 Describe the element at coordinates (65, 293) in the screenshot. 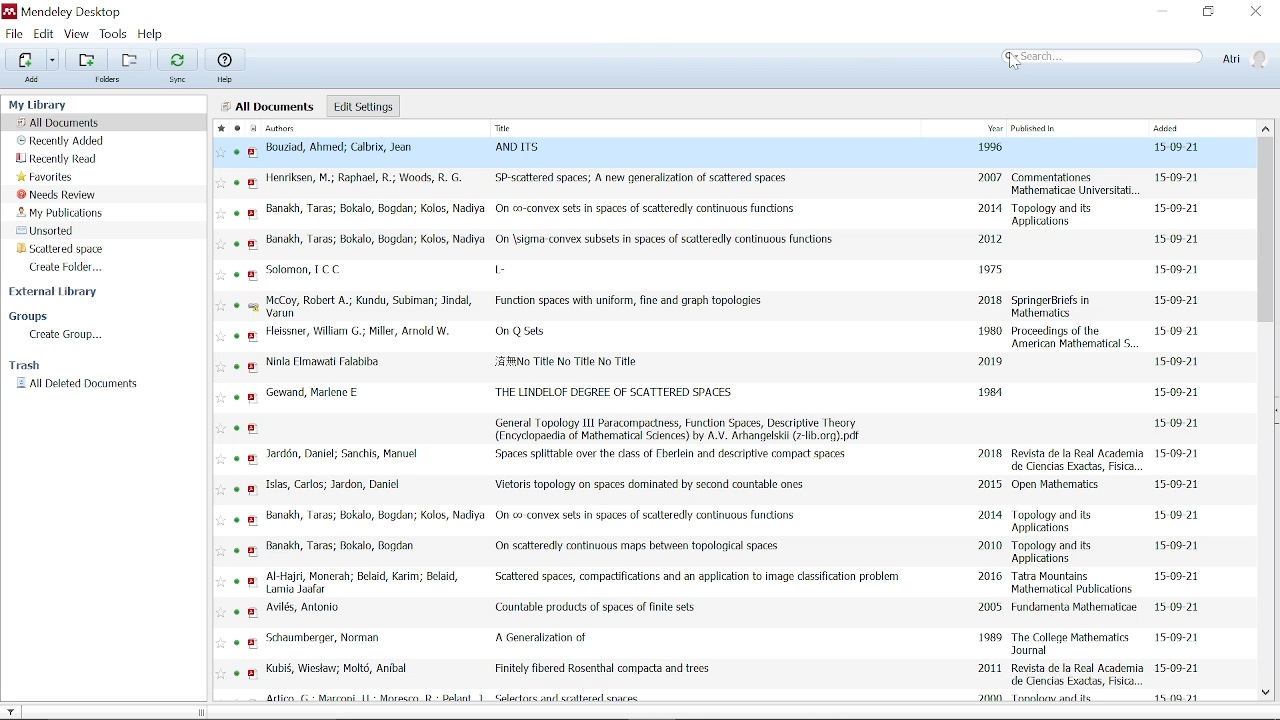

I see `External library` at that location.